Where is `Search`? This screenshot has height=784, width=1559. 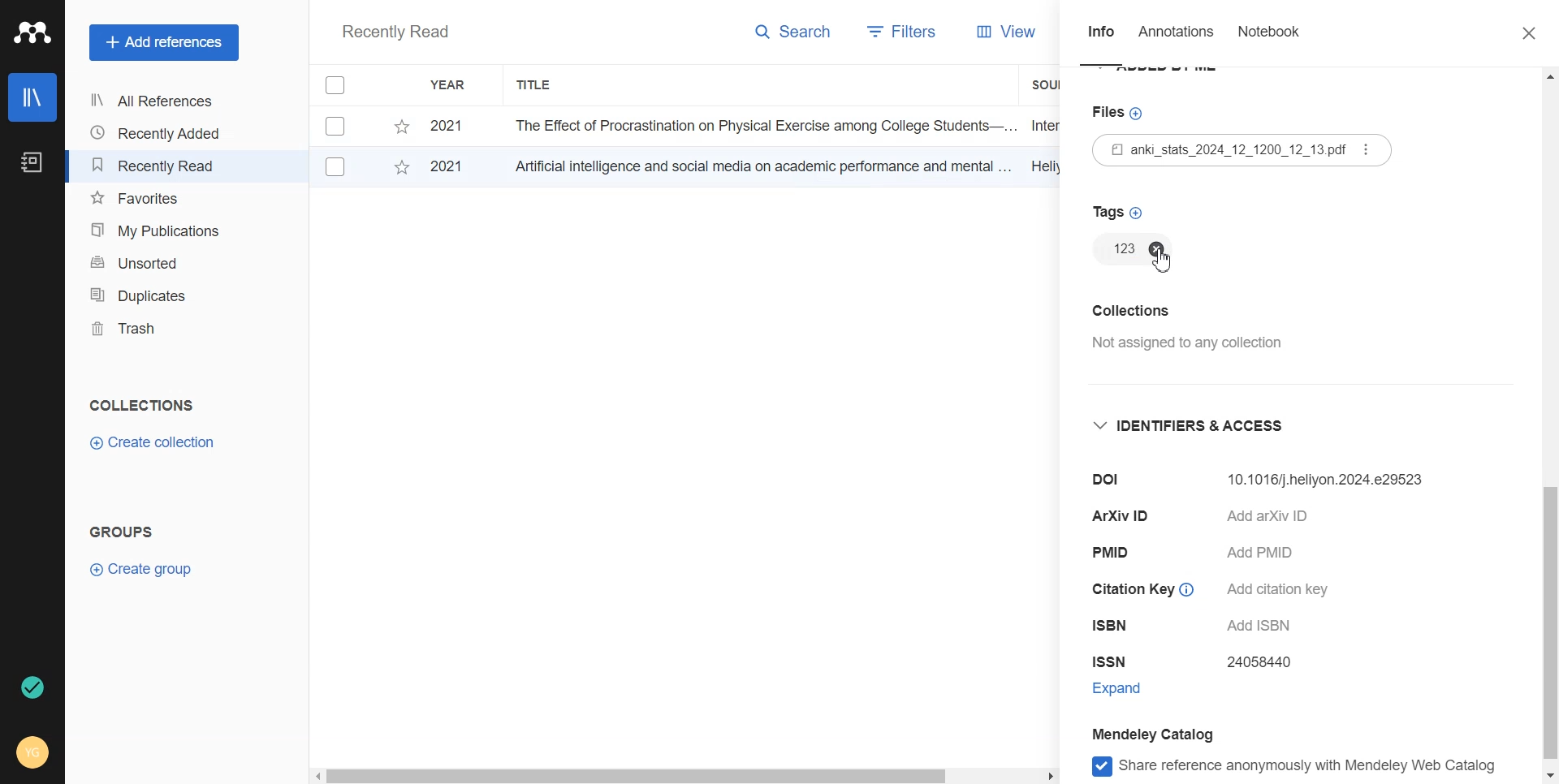
Search is located at coordinates (794, 35).